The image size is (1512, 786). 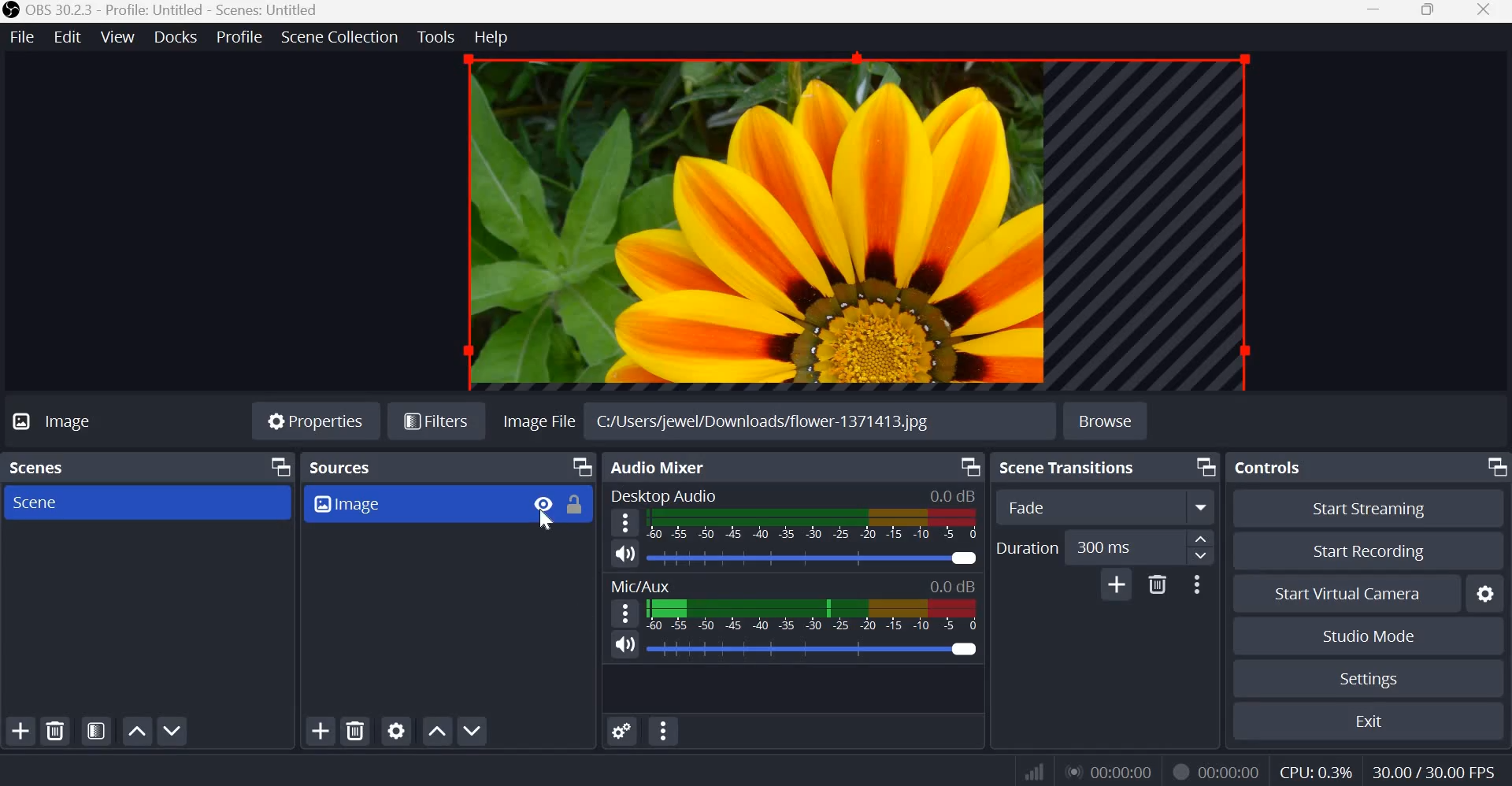 What do you see at coordinates (953, 586) in the screenshot?
I see `Audio Level Indicator` at bounding box center [953, 586].